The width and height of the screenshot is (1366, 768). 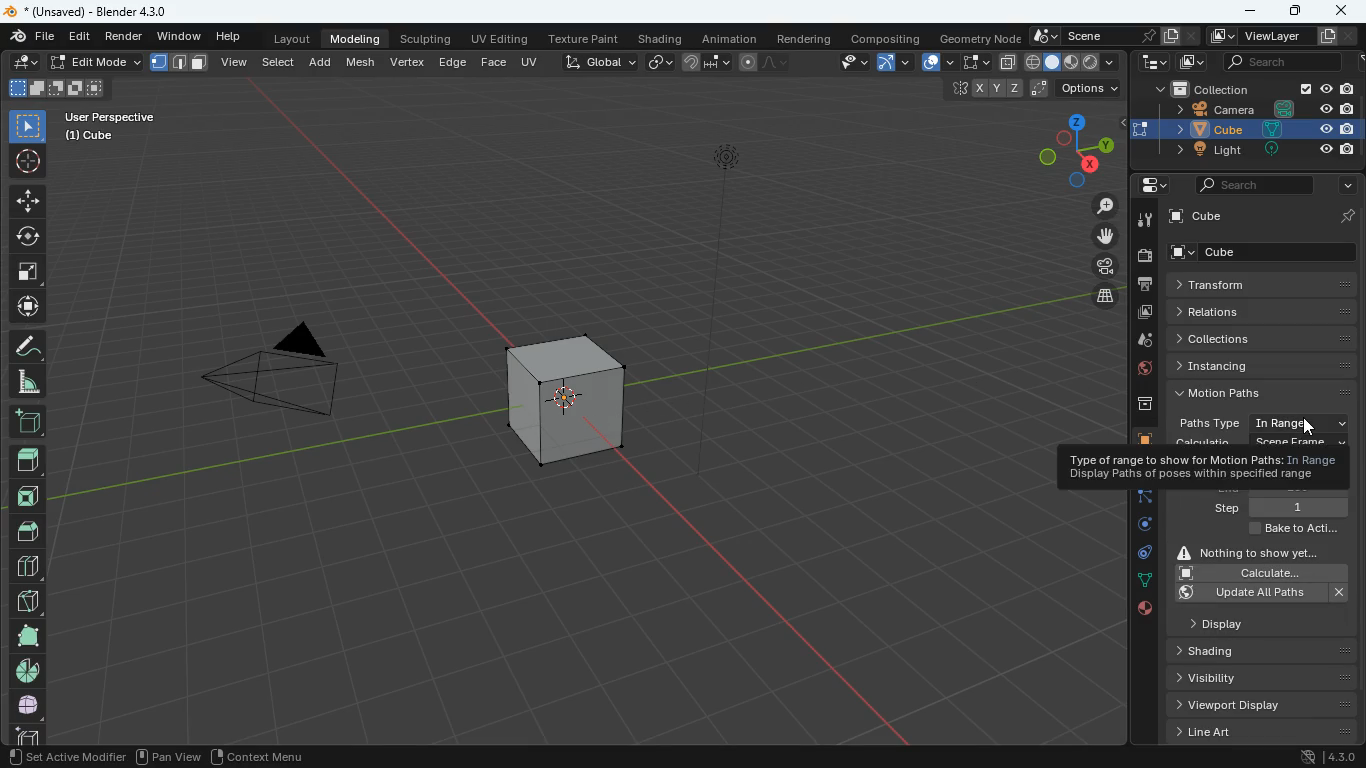 I want to click on image, so click(x=1142, y=313).